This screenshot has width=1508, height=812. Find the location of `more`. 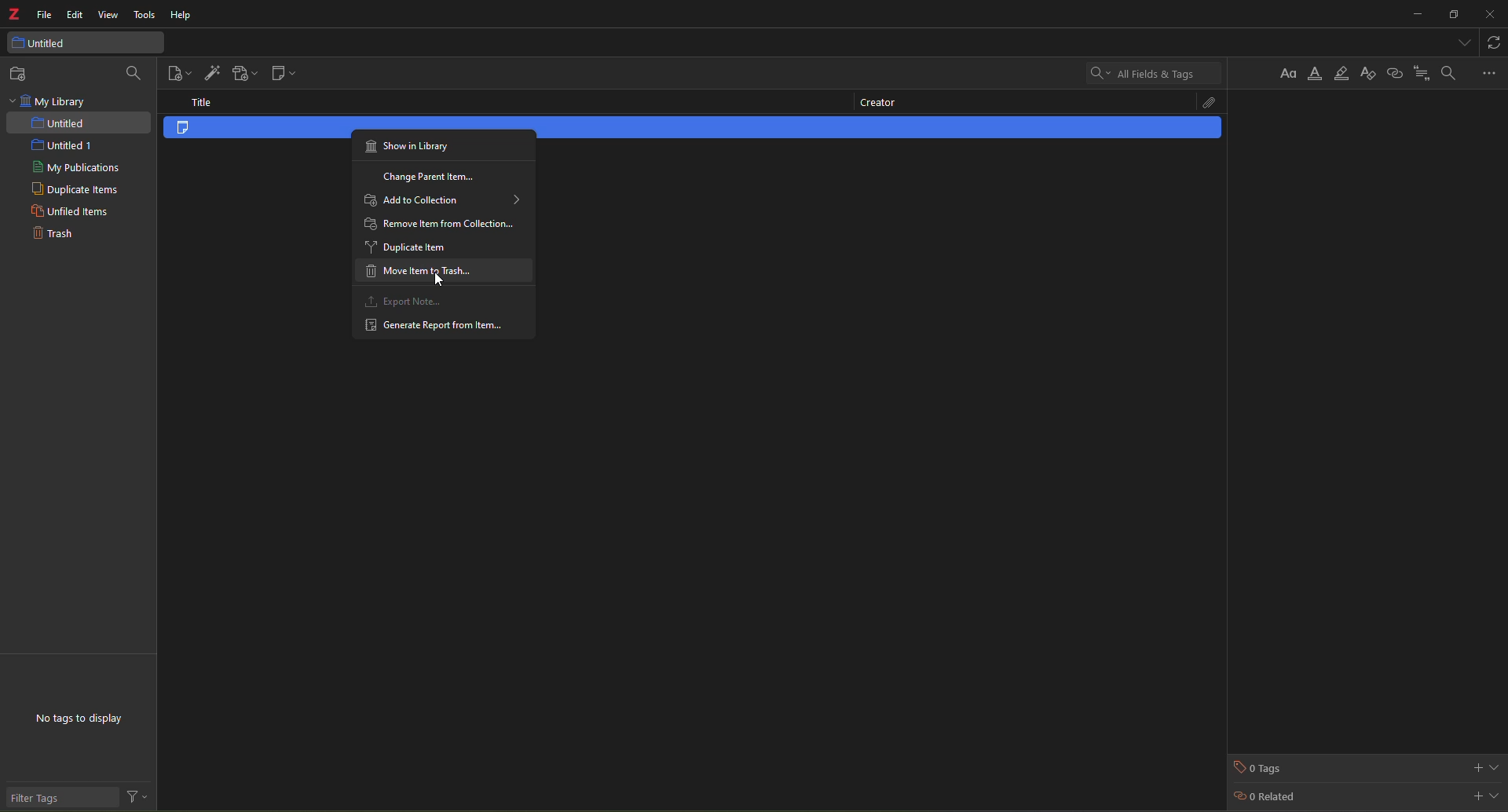

more is located at coordinates (1489, 72).